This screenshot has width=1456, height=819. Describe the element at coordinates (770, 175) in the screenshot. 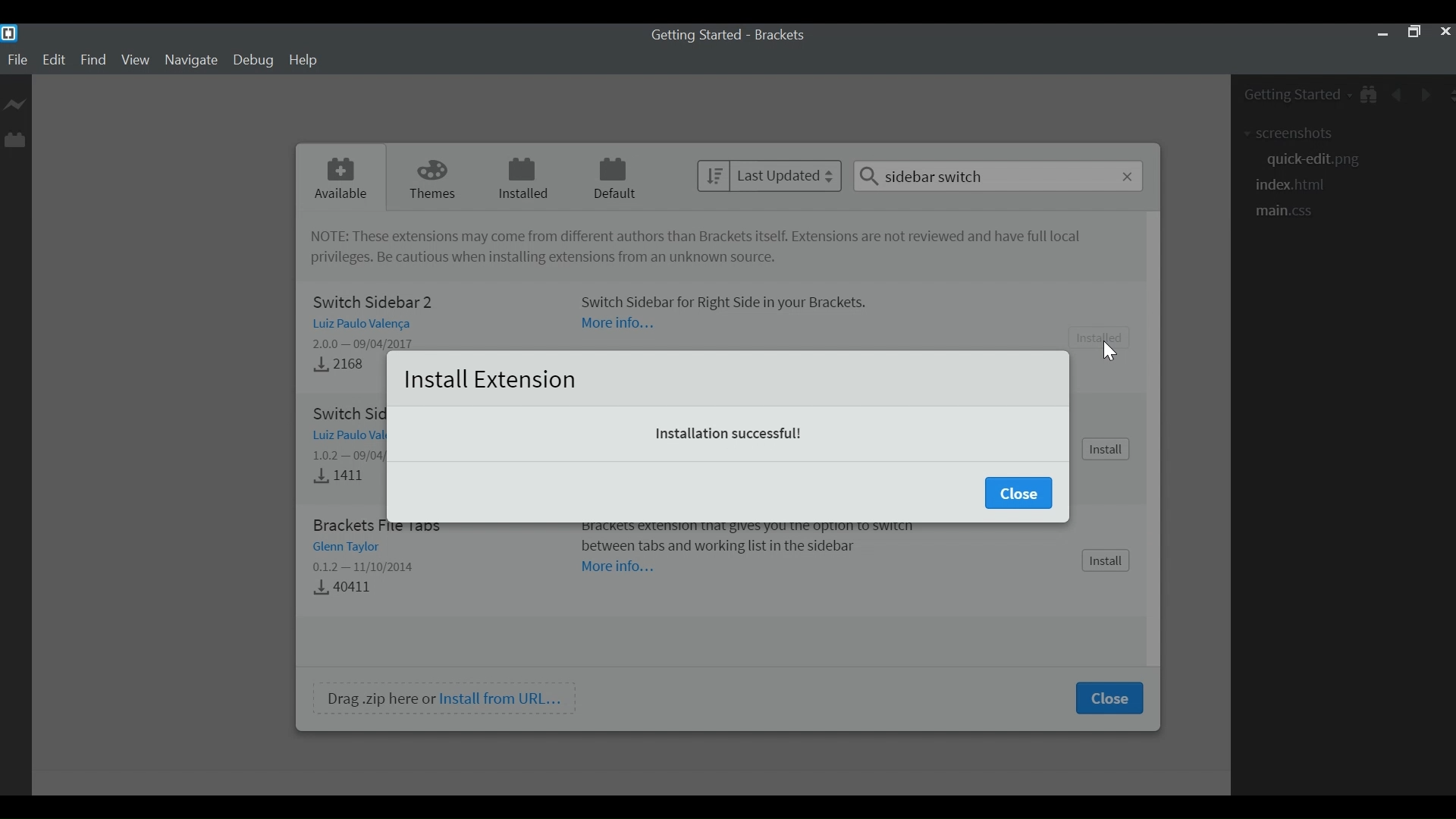

I see `last Updated` at that location.